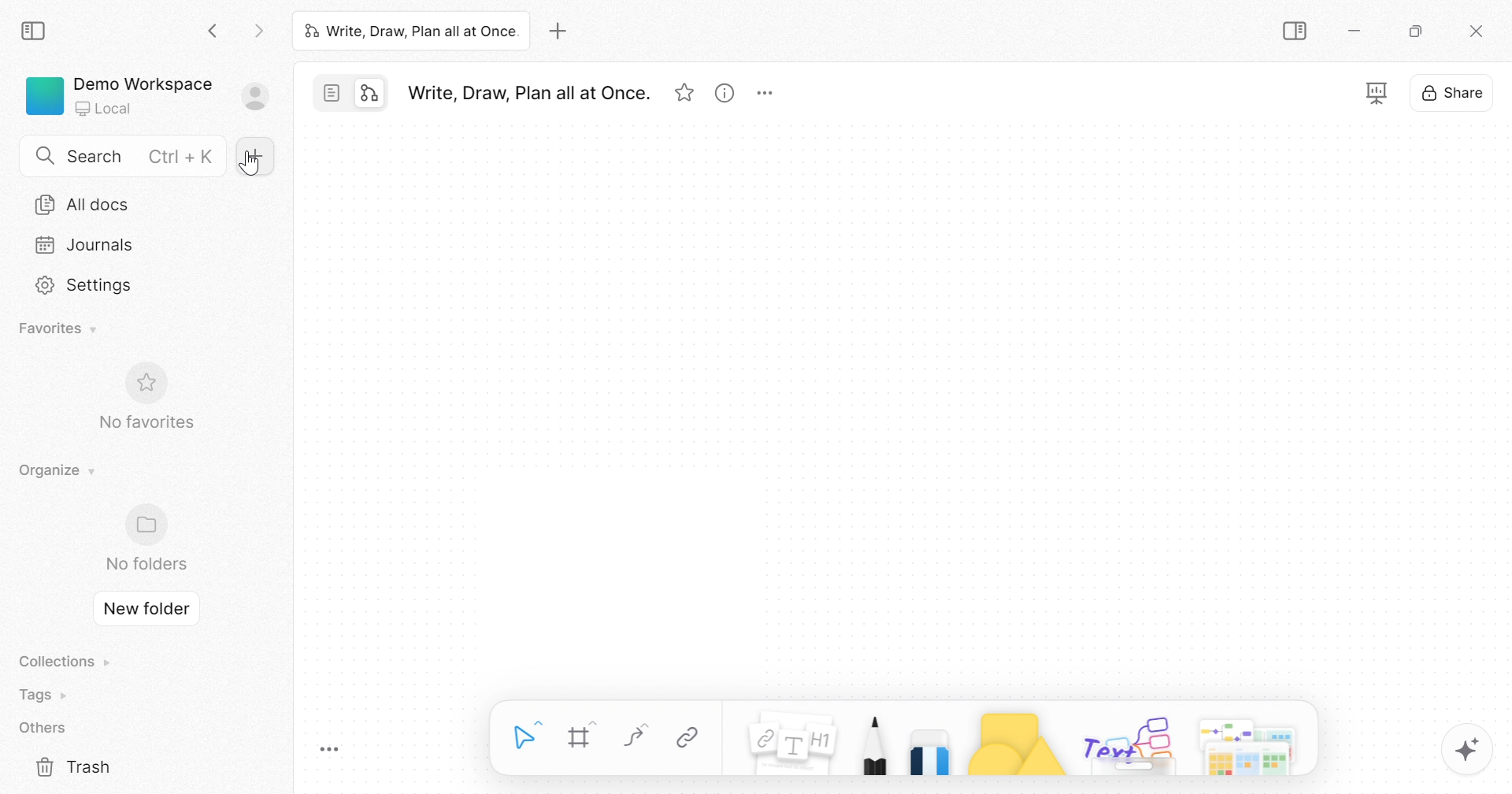 Image resolution: width=1512 pixels, height=794 pixels. I want to click on View info, so click(725, 93).